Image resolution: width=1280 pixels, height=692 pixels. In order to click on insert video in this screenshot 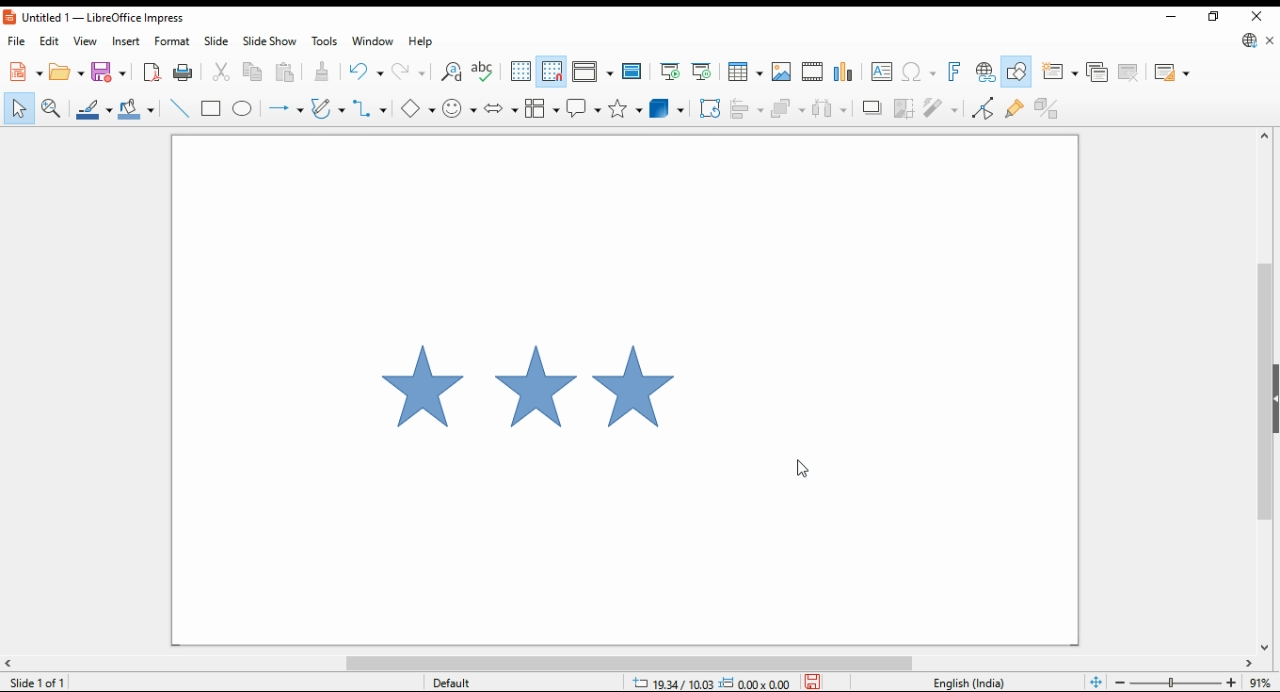, I will do `click(812, 70)`.